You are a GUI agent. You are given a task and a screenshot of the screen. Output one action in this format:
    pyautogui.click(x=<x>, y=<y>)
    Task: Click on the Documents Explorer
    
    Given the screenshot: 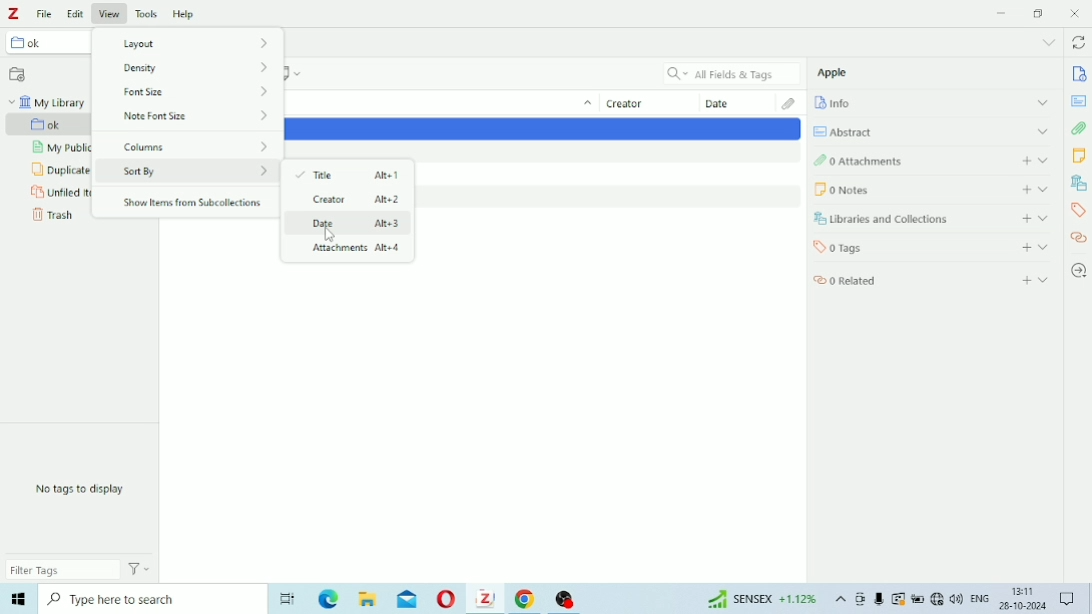 What is the action you would take?
    pyautogui.click(x=367, y=601)
    